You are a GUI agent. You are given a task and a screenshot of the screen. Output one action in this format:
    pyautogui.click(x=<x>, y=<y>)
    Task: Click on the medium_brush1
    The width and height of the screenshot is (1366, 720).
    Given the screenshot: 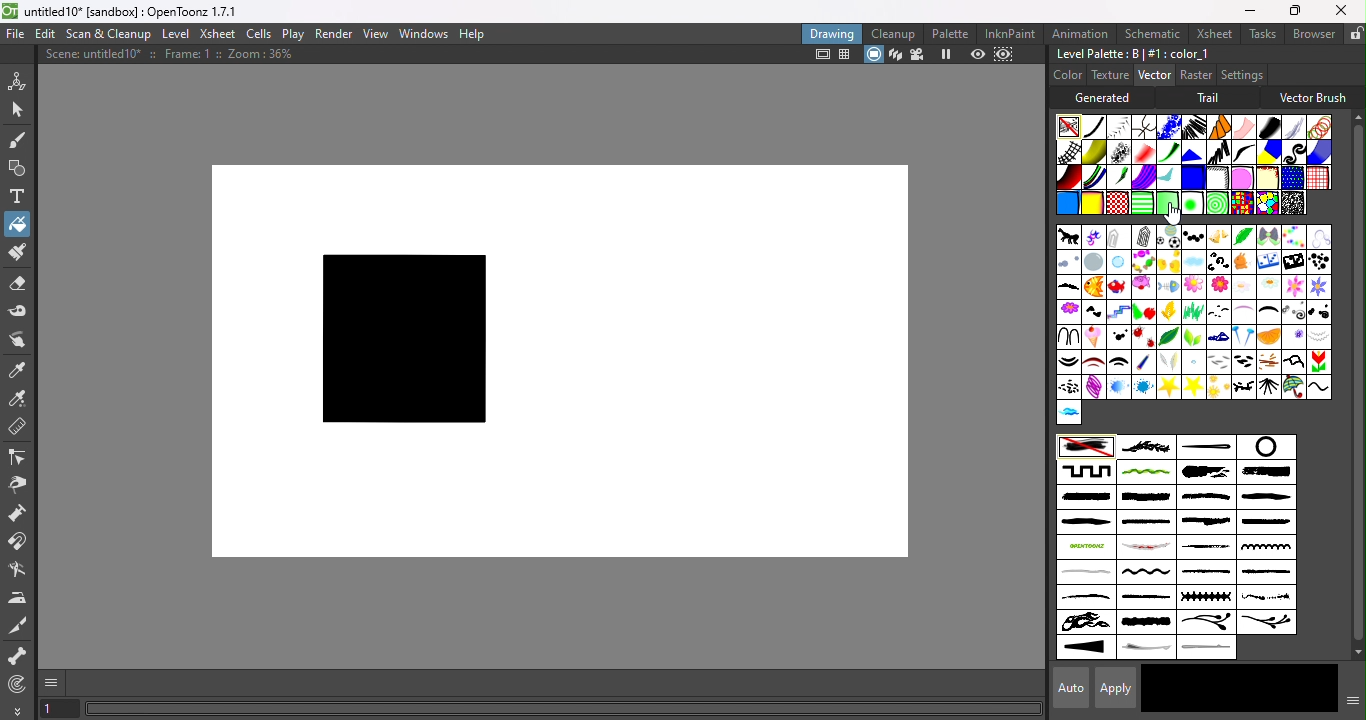 What is the action you would take?
    pyautogui.click(x=1204, y=497)
    